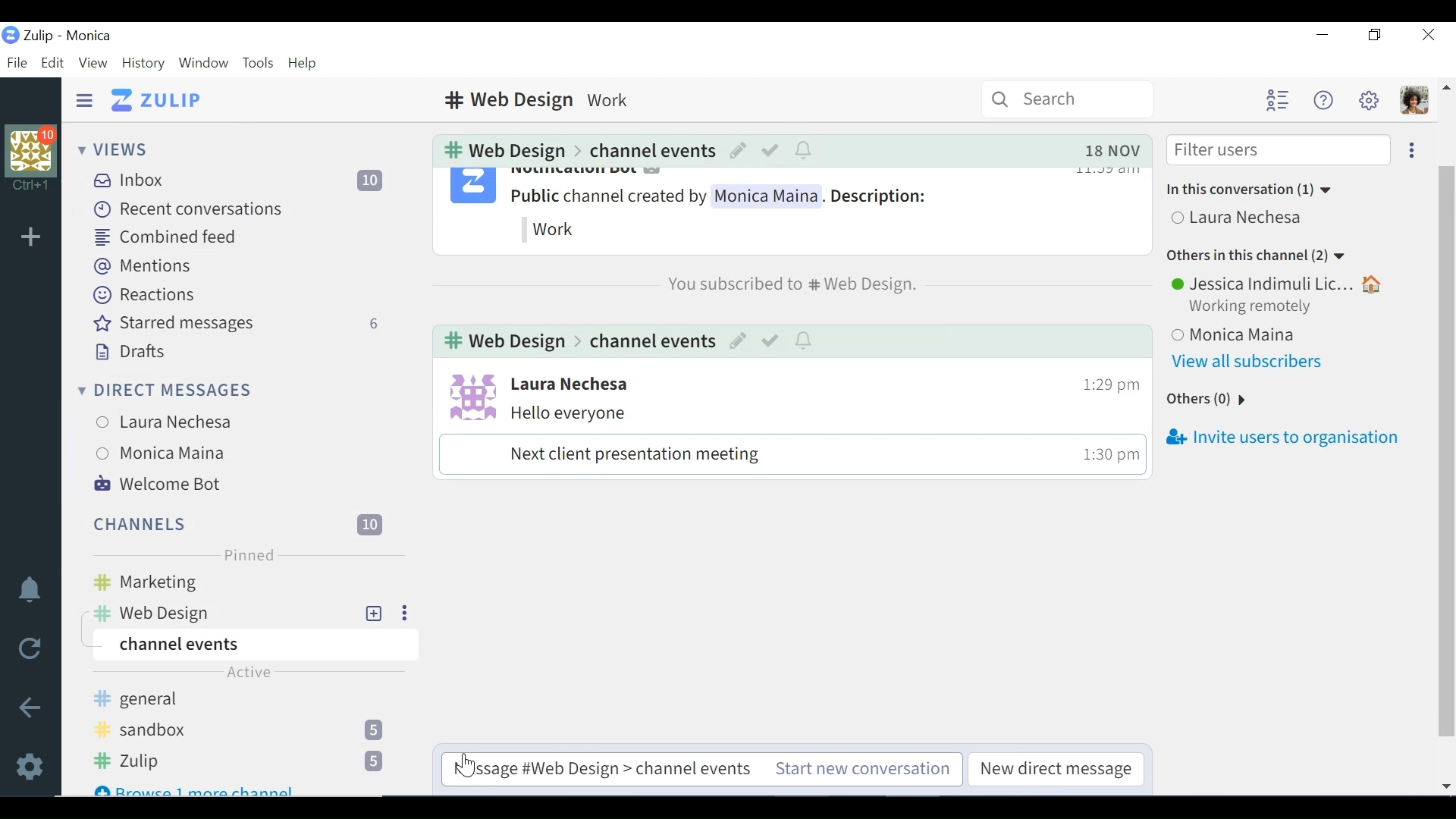  I want to click on Working Remotely status, so click(1255, 307).